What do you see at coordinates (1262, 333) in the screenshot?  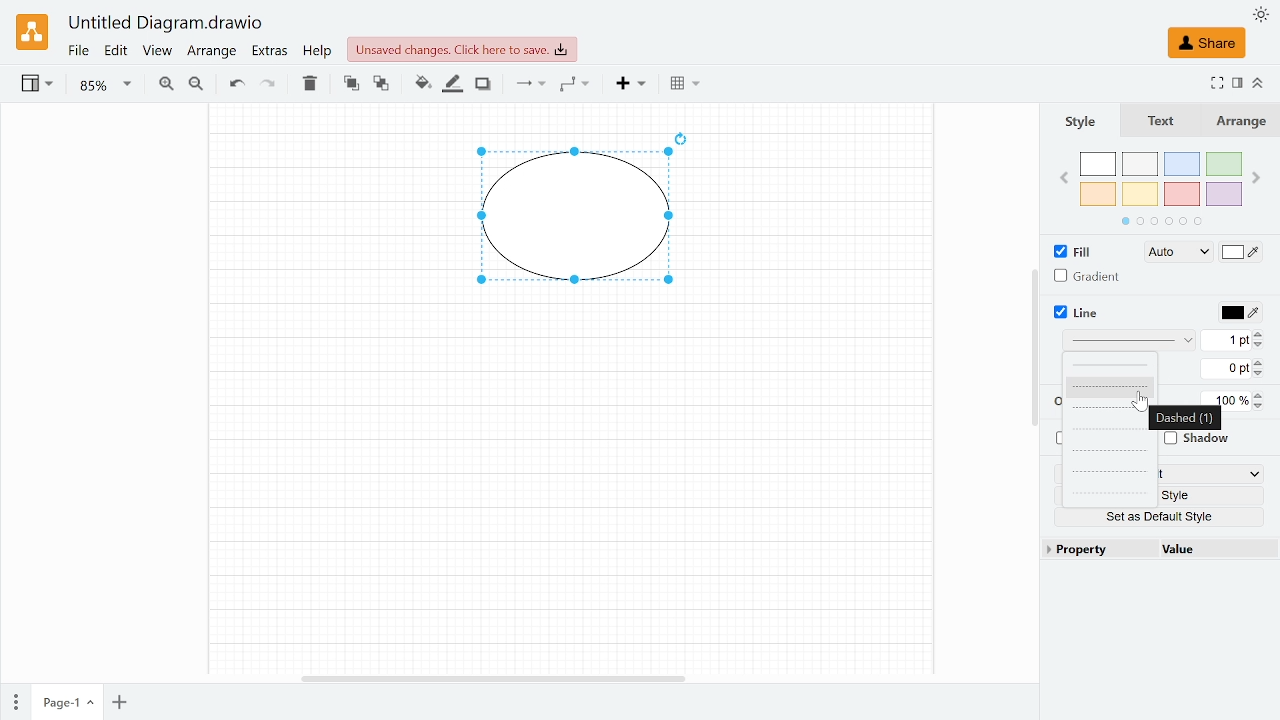 I see `Increase line width` at bounding box center [1262, 333].